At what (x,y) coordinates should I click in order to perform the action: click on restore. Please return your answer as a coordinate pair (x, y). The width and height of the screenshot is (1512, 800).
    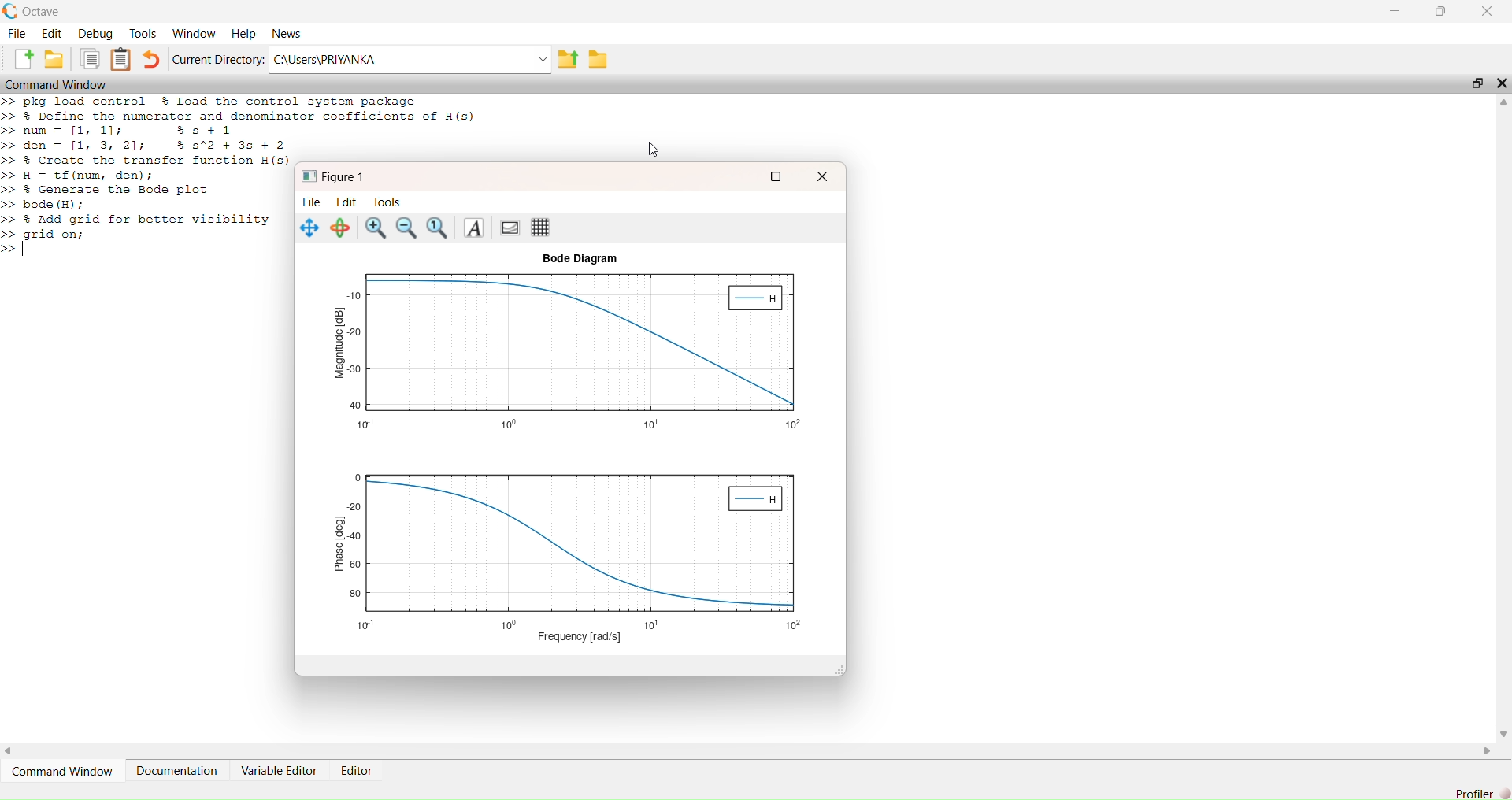
    Looking at the image, I should click on (777, 176).